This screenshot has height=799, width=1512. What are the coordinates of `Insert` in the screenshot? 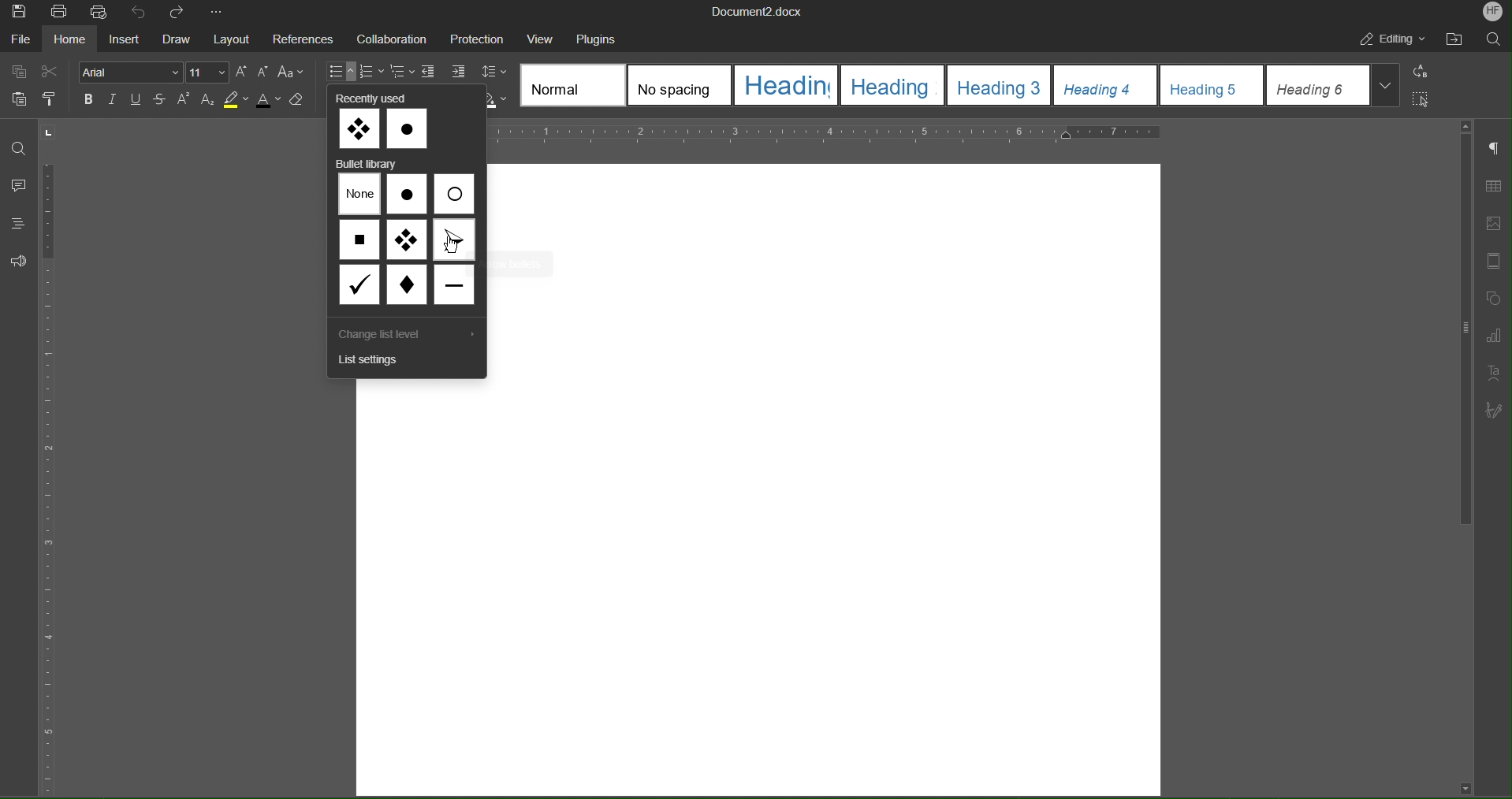 It's located at (125, 40).